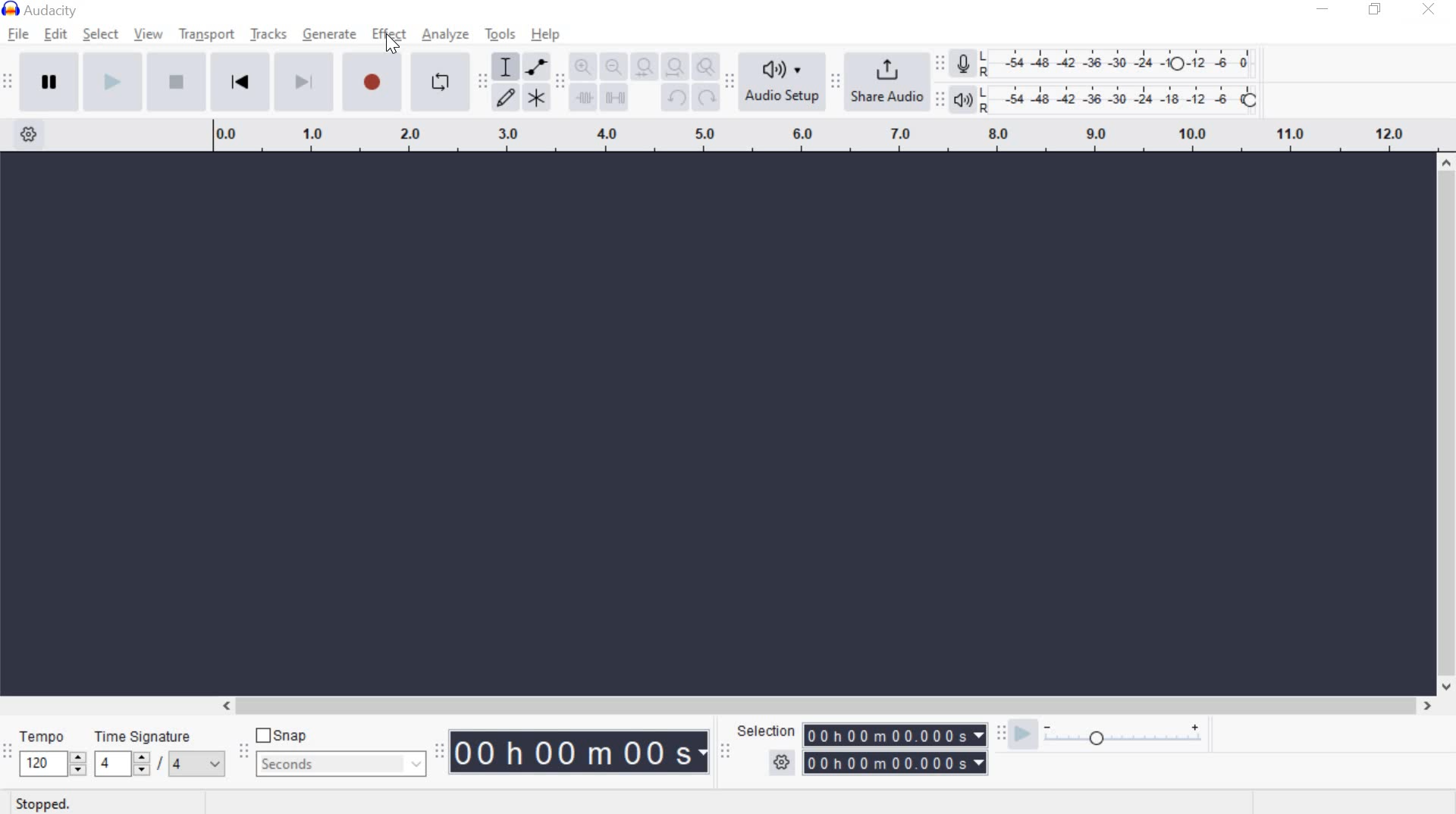 This screenshot has height=814, width=1456. I want to click on Audio Setup, so click(783, 83).